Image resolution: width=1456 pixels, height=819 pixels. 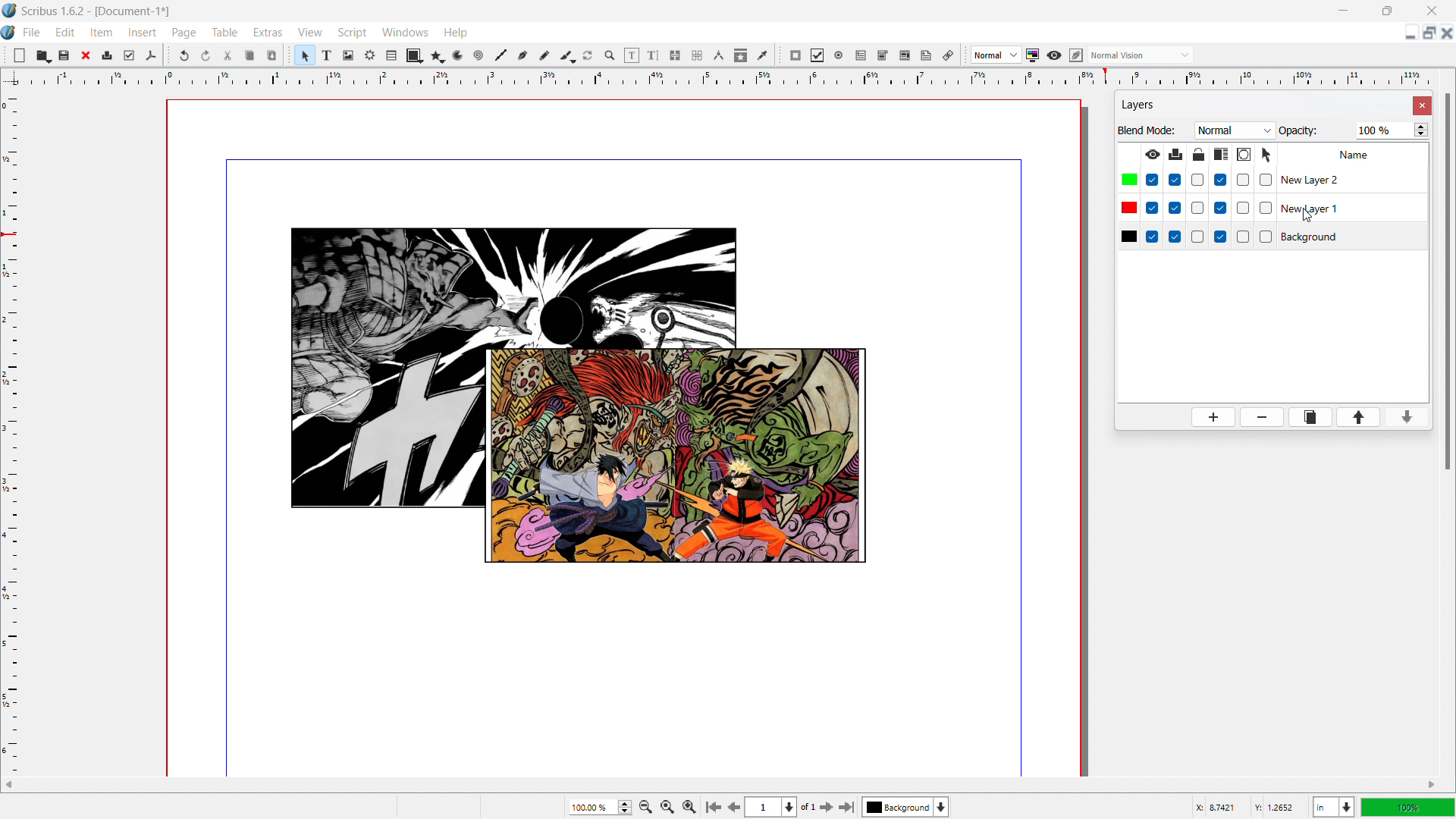 What do you see at coordinates (826, 807) in the screenshot?
I see `go to next page` at bounding box center [826, 807].